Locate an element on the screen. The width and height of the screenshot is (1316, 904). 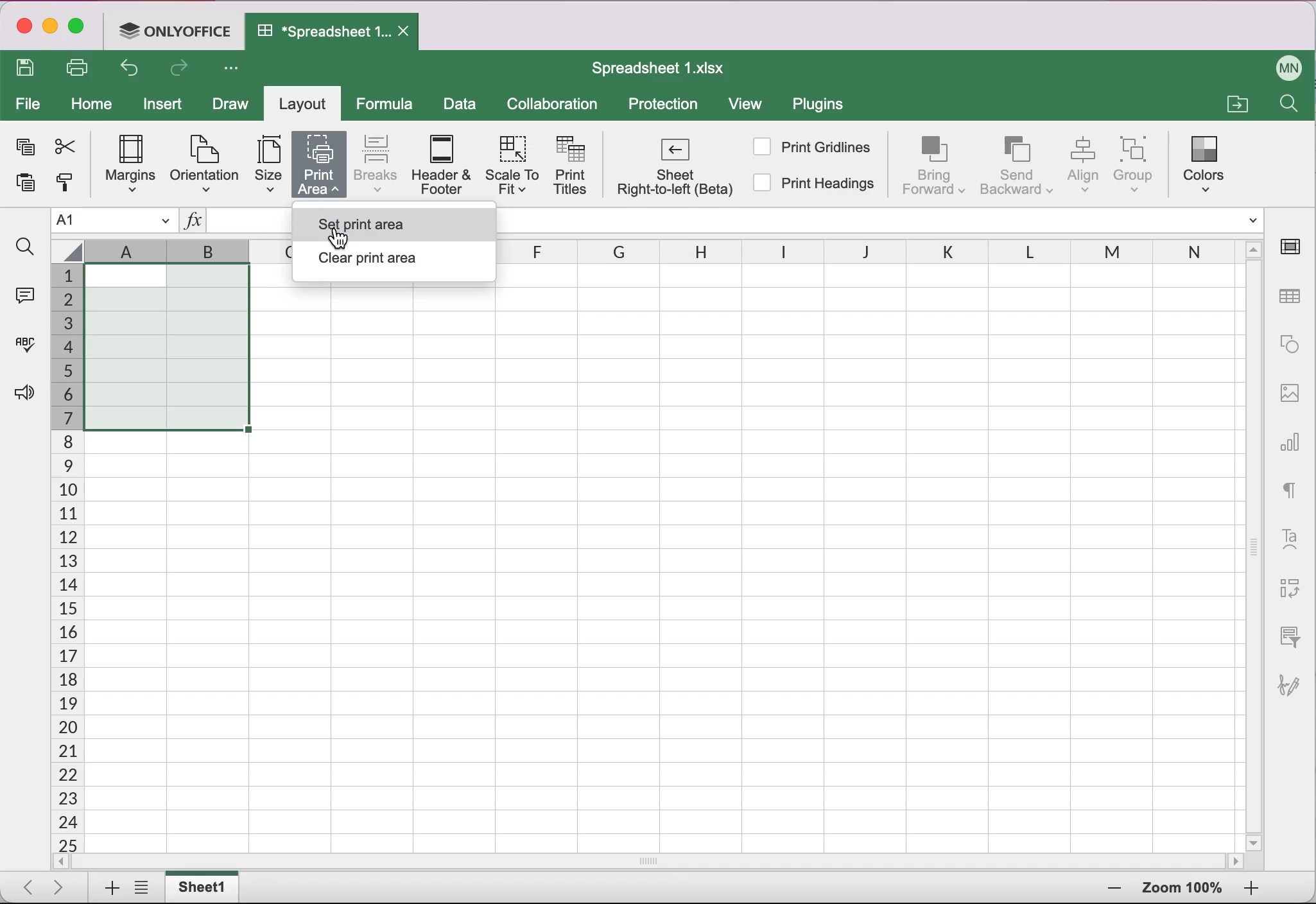
Cursor is located at coordinates (334, 225).